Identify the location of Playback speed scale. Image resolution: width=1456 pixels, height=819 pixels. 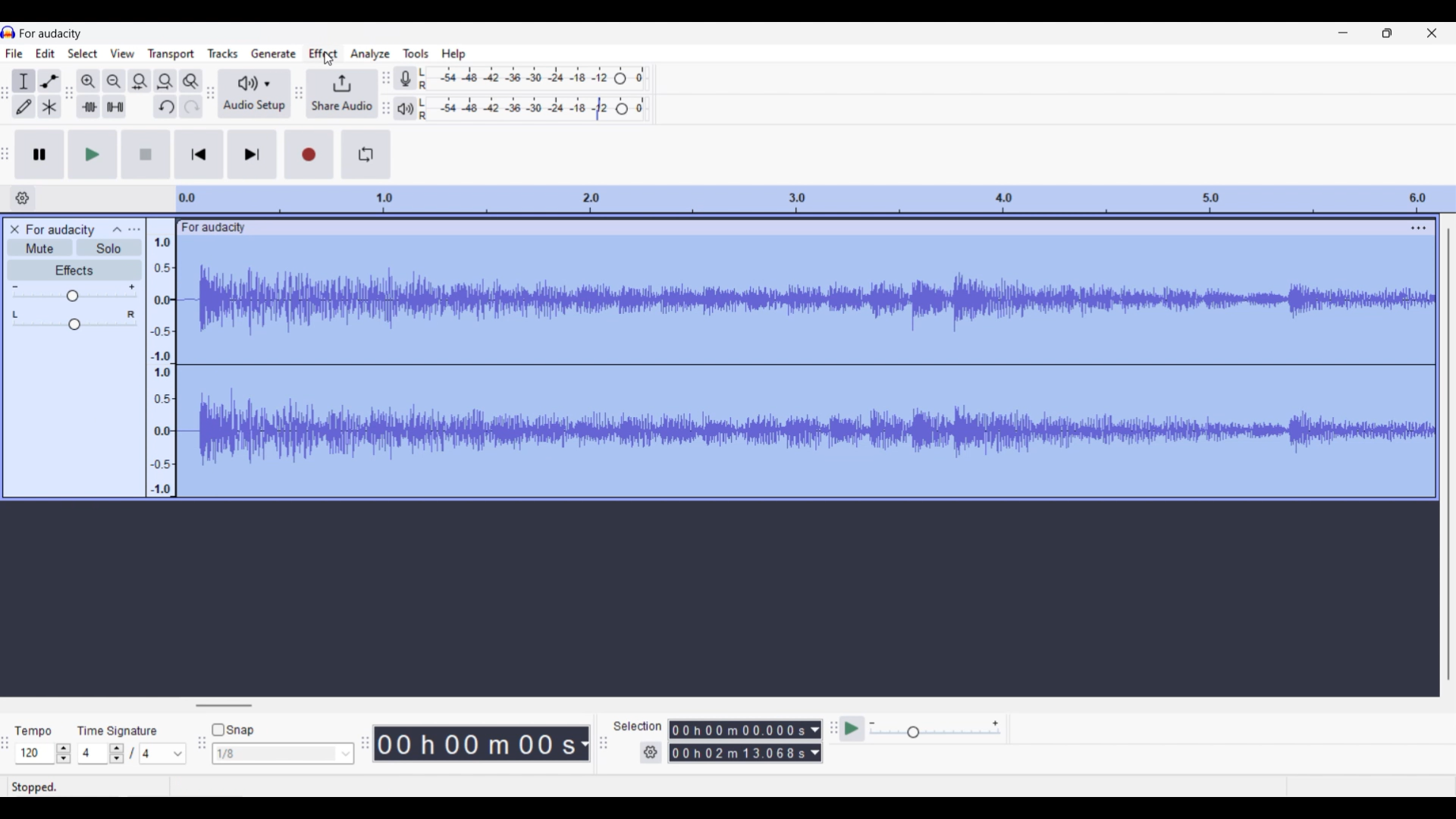
(934, 730).